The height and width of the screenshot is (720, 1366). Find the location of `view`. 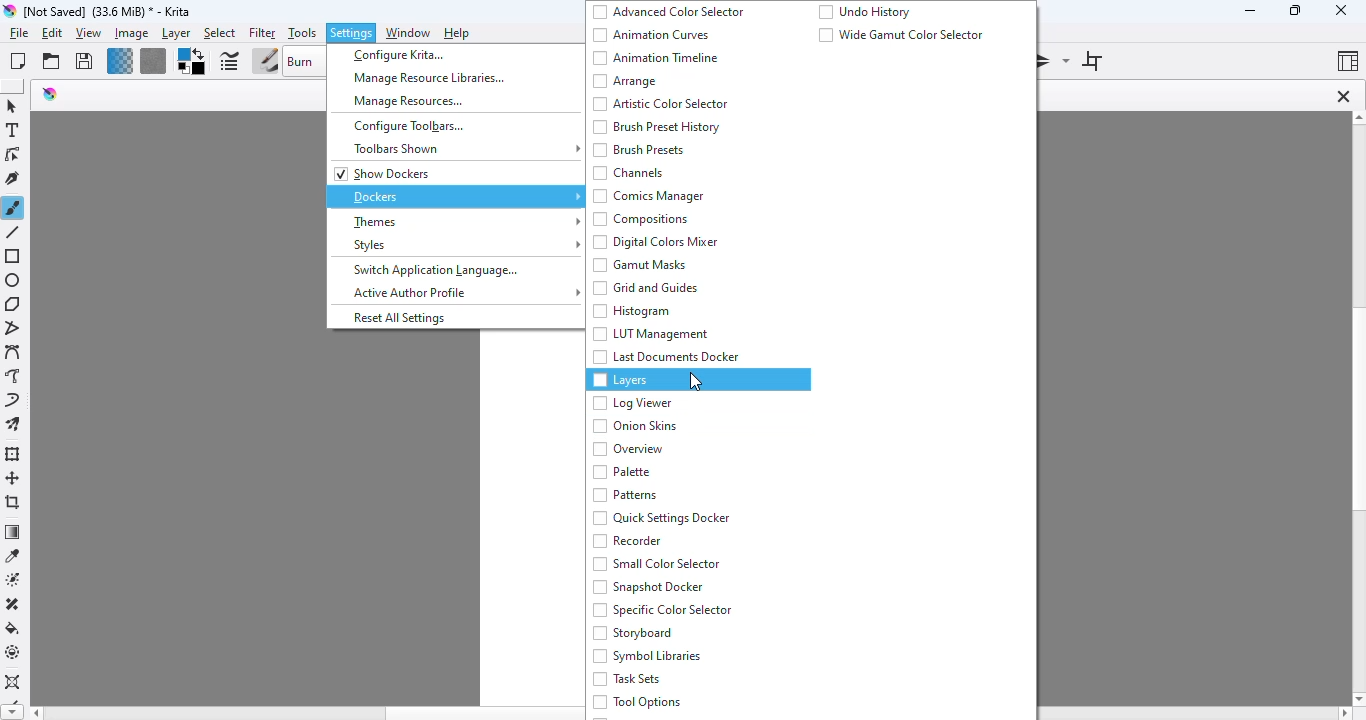

view is located at coordinates (88, 34).